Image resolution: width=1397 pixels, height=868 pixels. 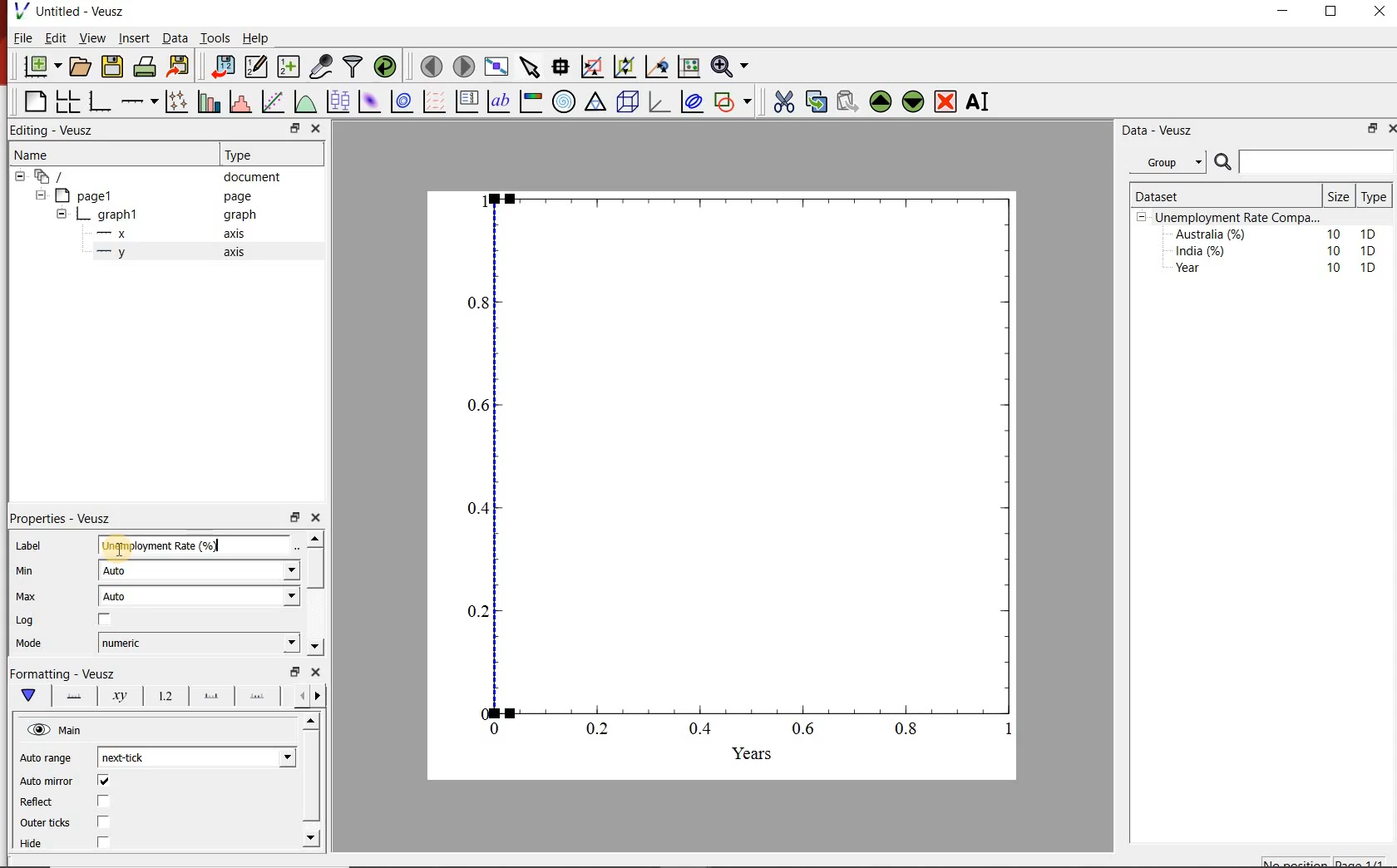 I want to click on | File, so click(x=19, y=37).